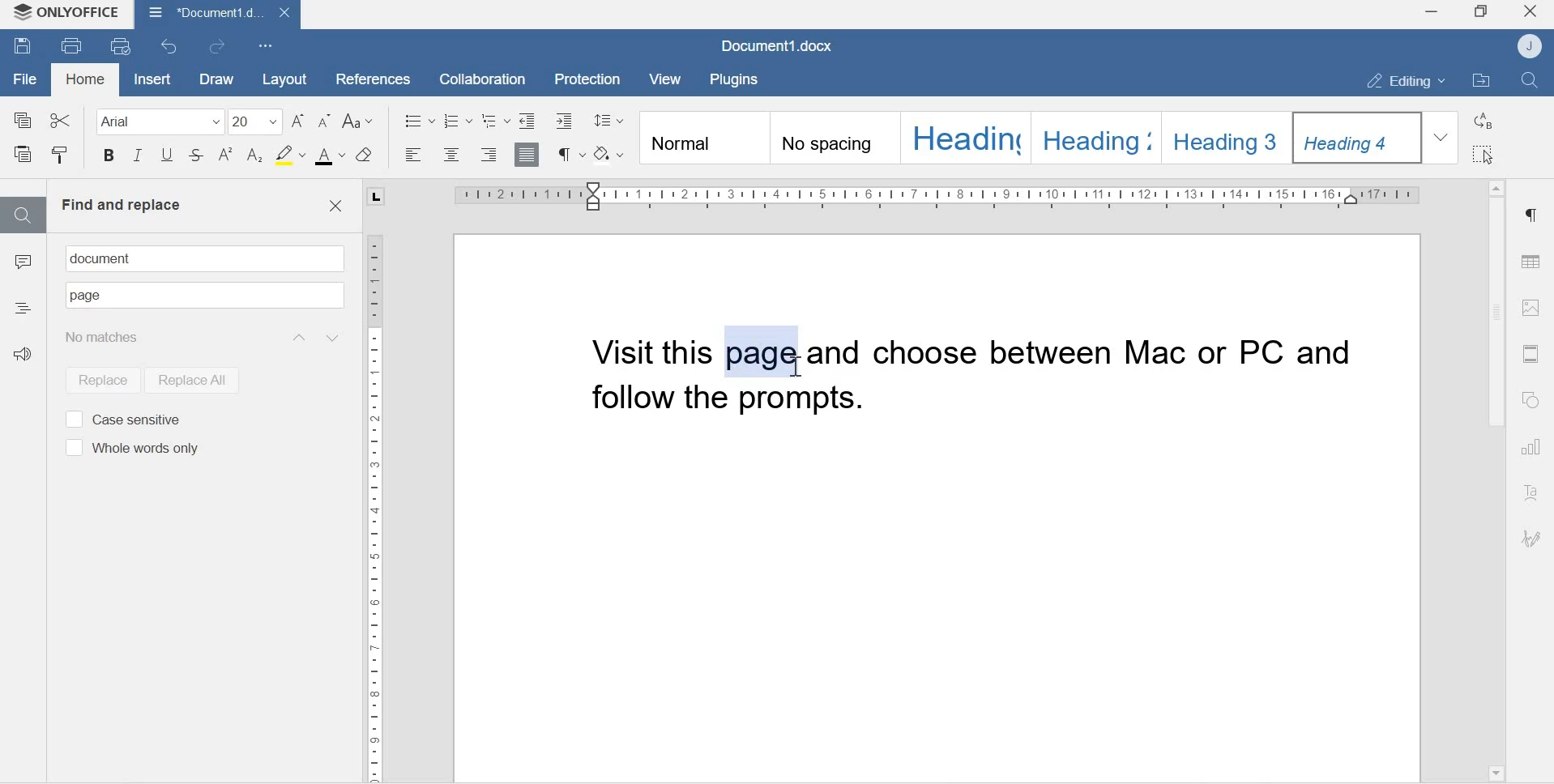  Describe the element at coordinates (365, 155) in the screenshot. I see `Clear style` at that location.